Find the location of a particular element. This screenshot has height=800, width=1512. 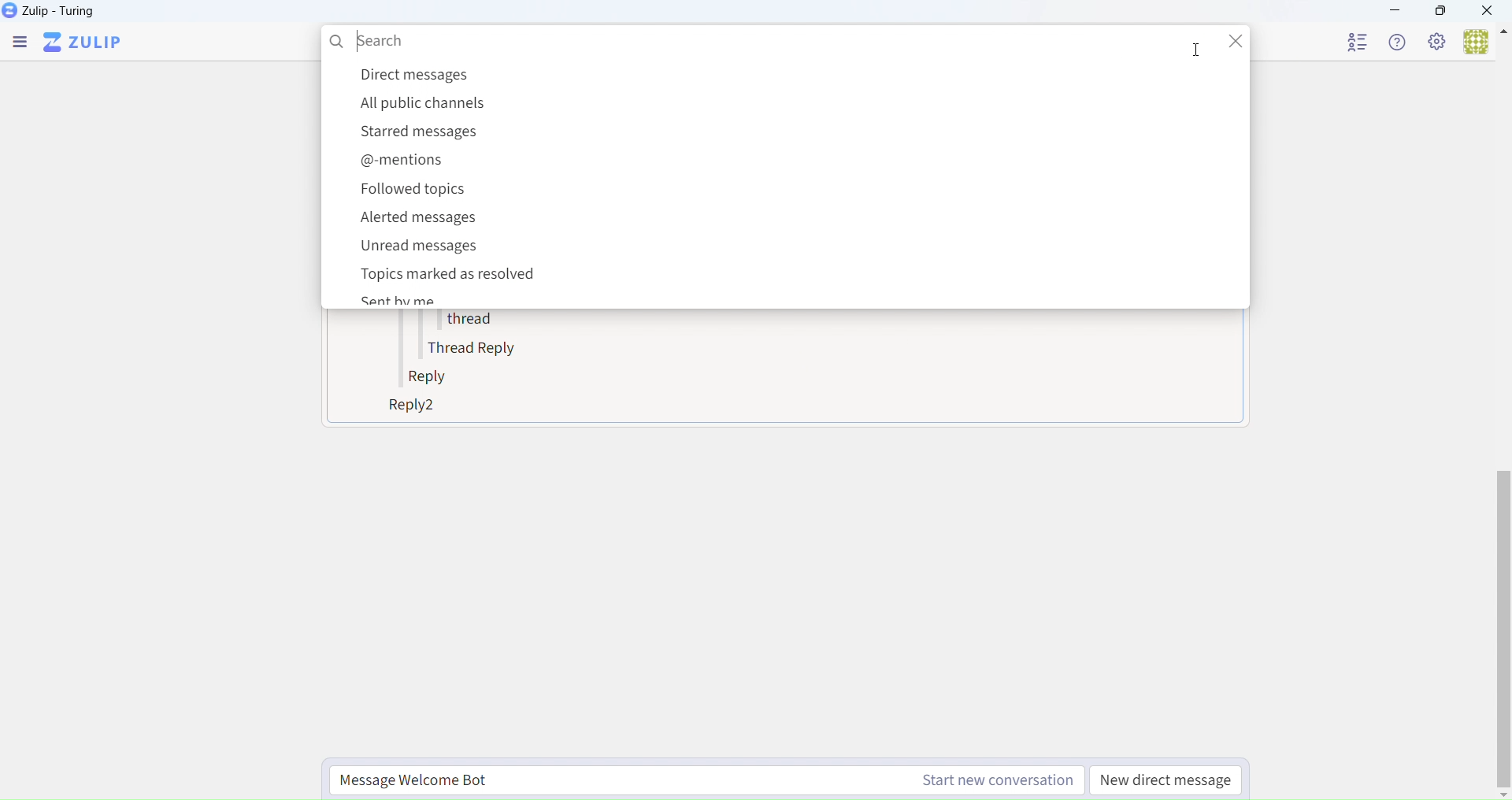

Settings is located at coordinates (1438, 43).